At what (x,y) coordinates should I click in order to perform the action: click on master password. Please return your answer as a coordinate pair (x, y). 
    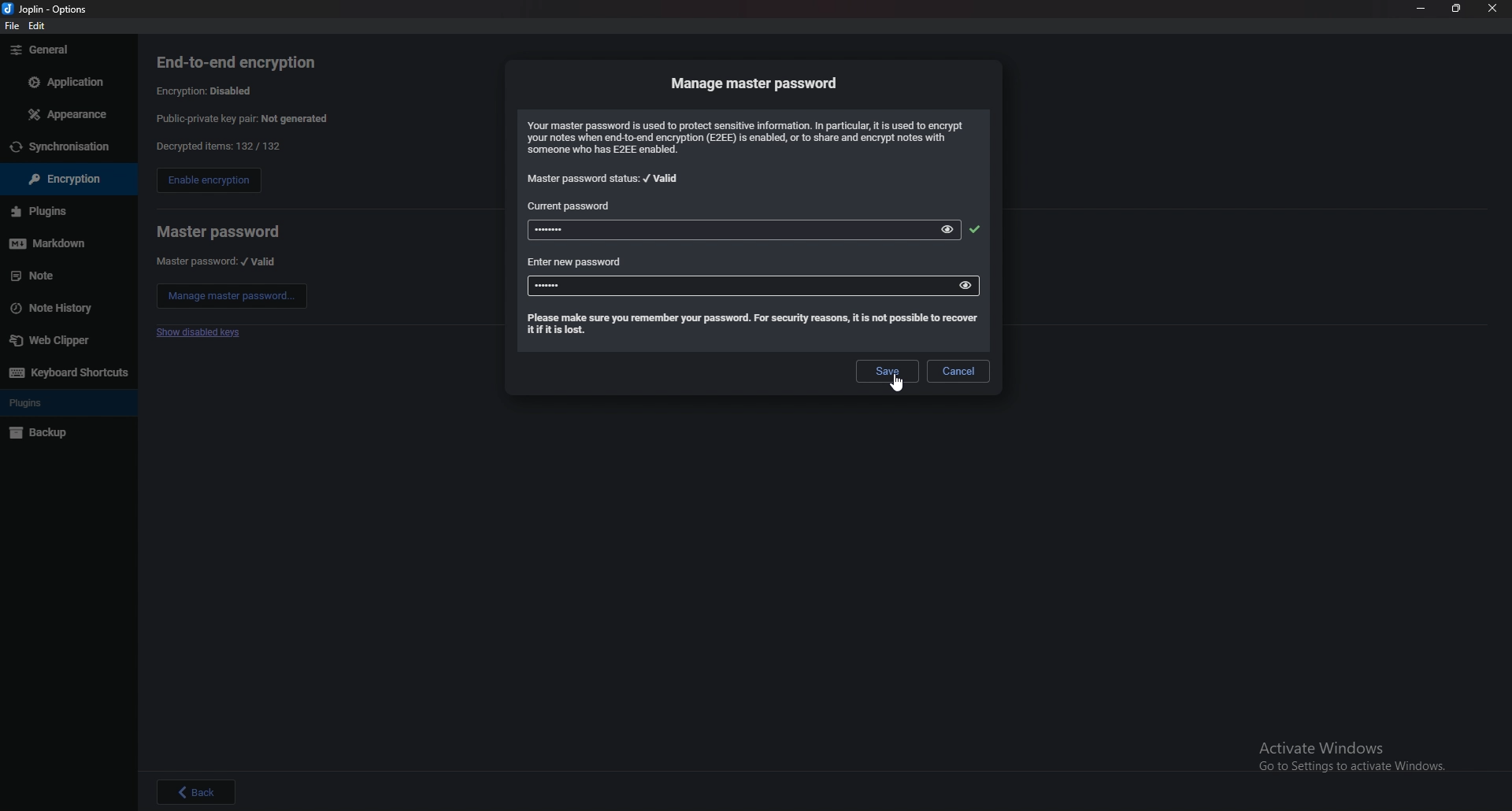
    Looking at the image, I should click on (218, 231).